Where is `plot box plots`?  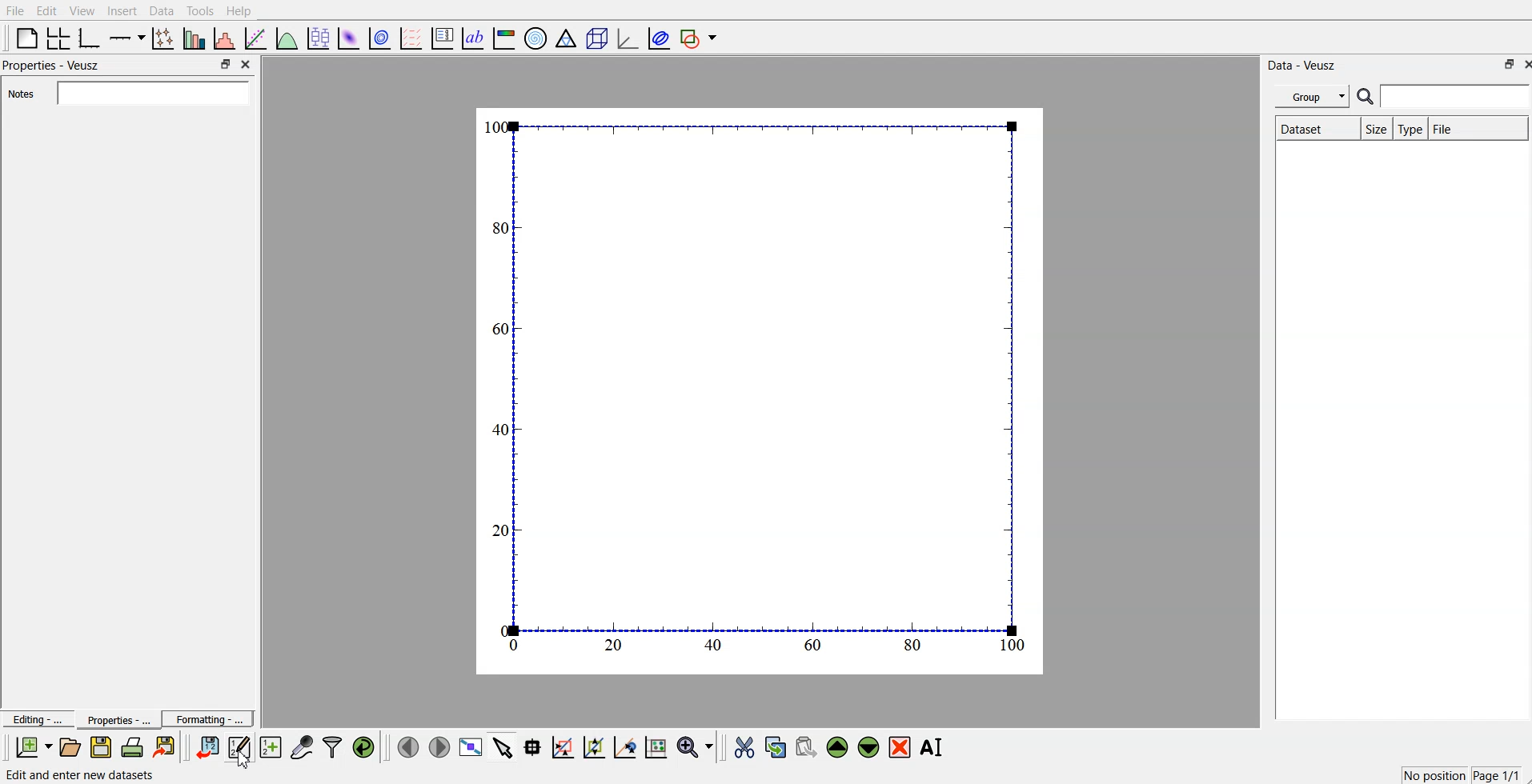 plot box plots is located at coordinates (318, 37).